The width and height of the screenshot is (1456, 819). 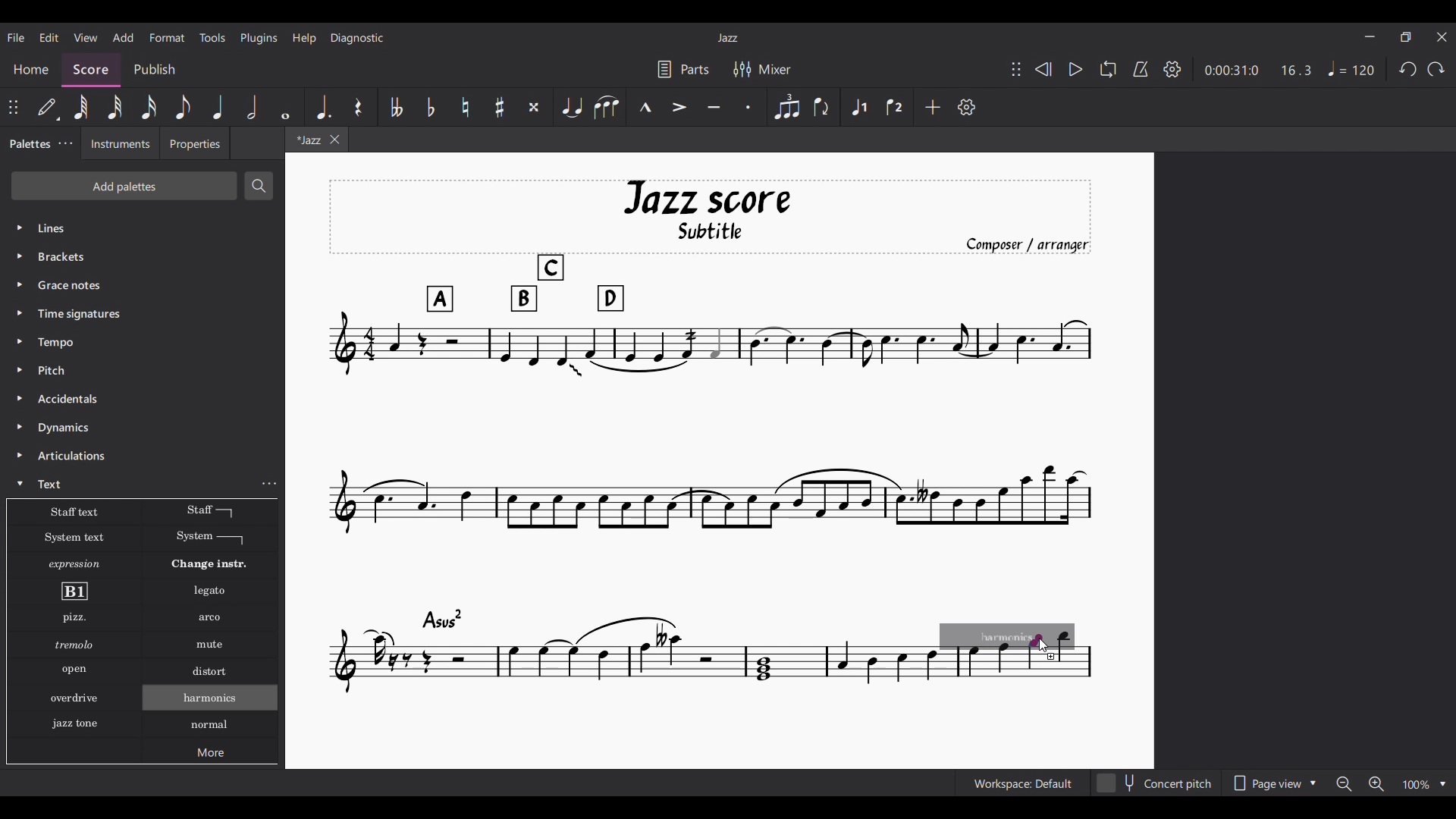 What do you see at coordinates (17, 37) in the screenshot?
I see `File menu` at bounding box center [17, 37].